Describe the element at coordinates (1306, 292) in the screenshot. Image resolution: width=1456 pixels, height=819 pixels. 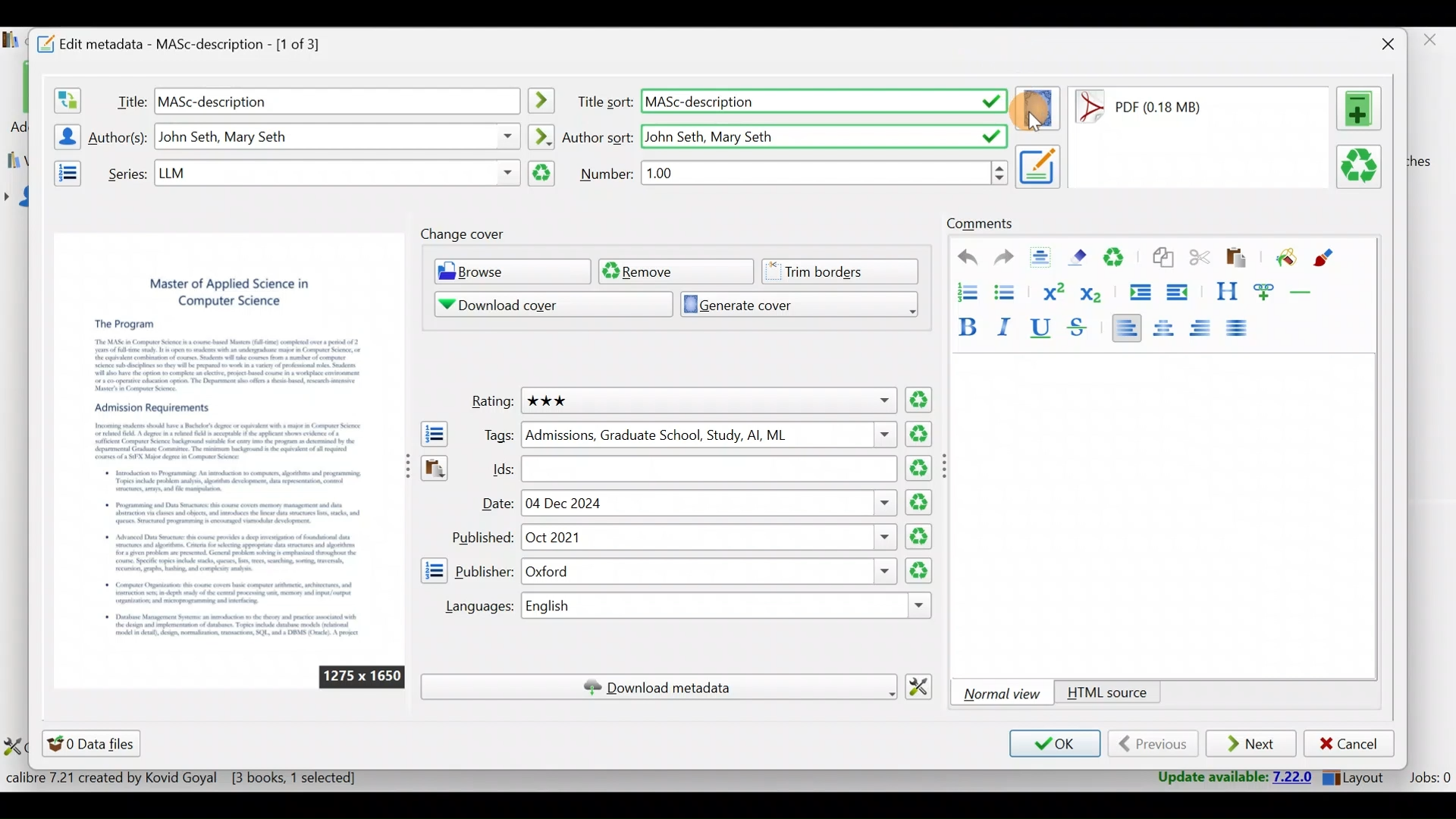
I see `Insert separator` at that location.